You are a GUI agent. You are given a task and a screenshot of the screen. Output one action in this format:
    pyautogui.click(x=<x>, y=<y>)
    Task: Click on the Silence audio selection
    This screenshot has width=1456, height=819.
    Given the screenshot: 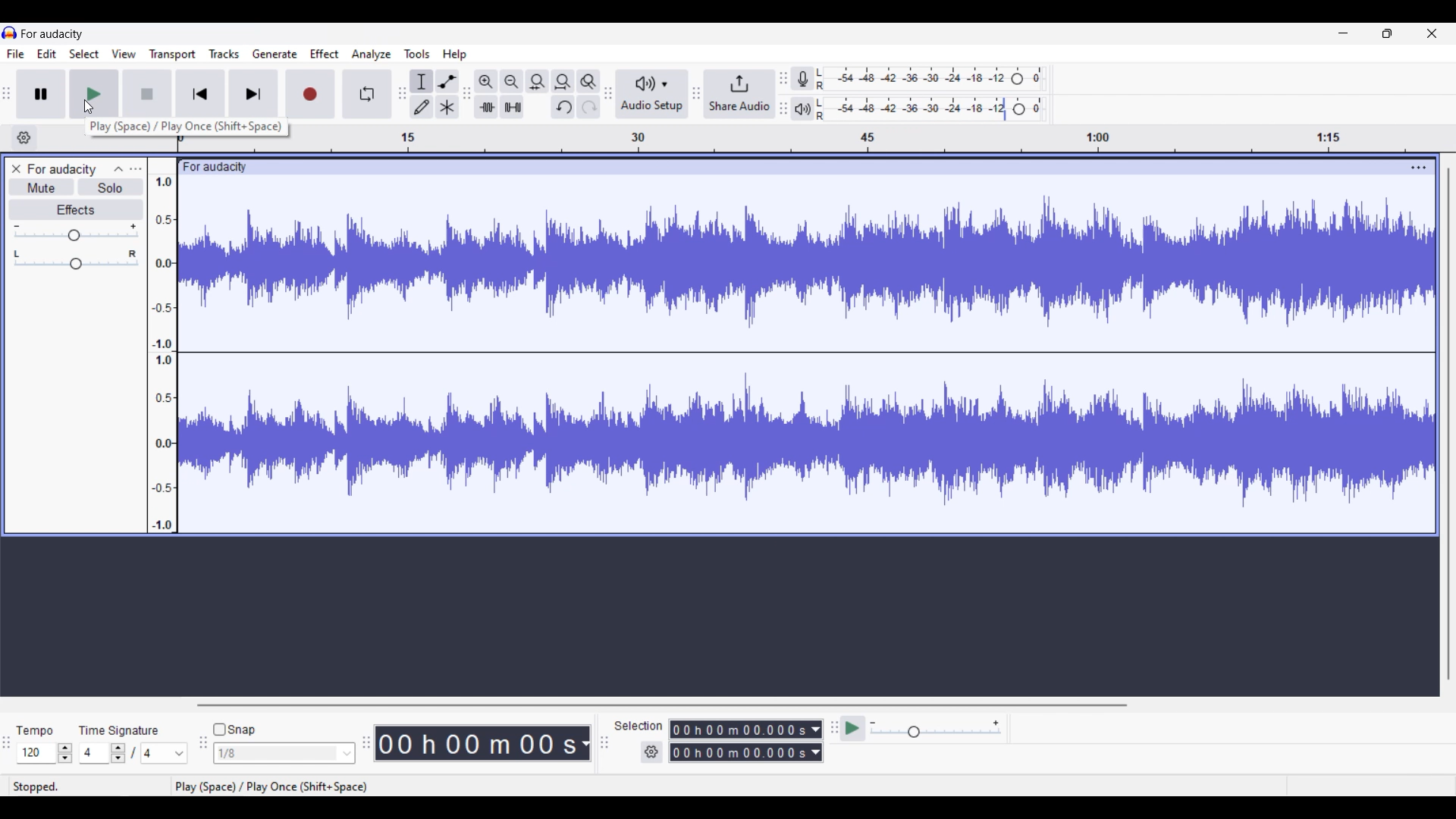 What is the action you would take?
    pyautogui.click(x=513, y=107)
    